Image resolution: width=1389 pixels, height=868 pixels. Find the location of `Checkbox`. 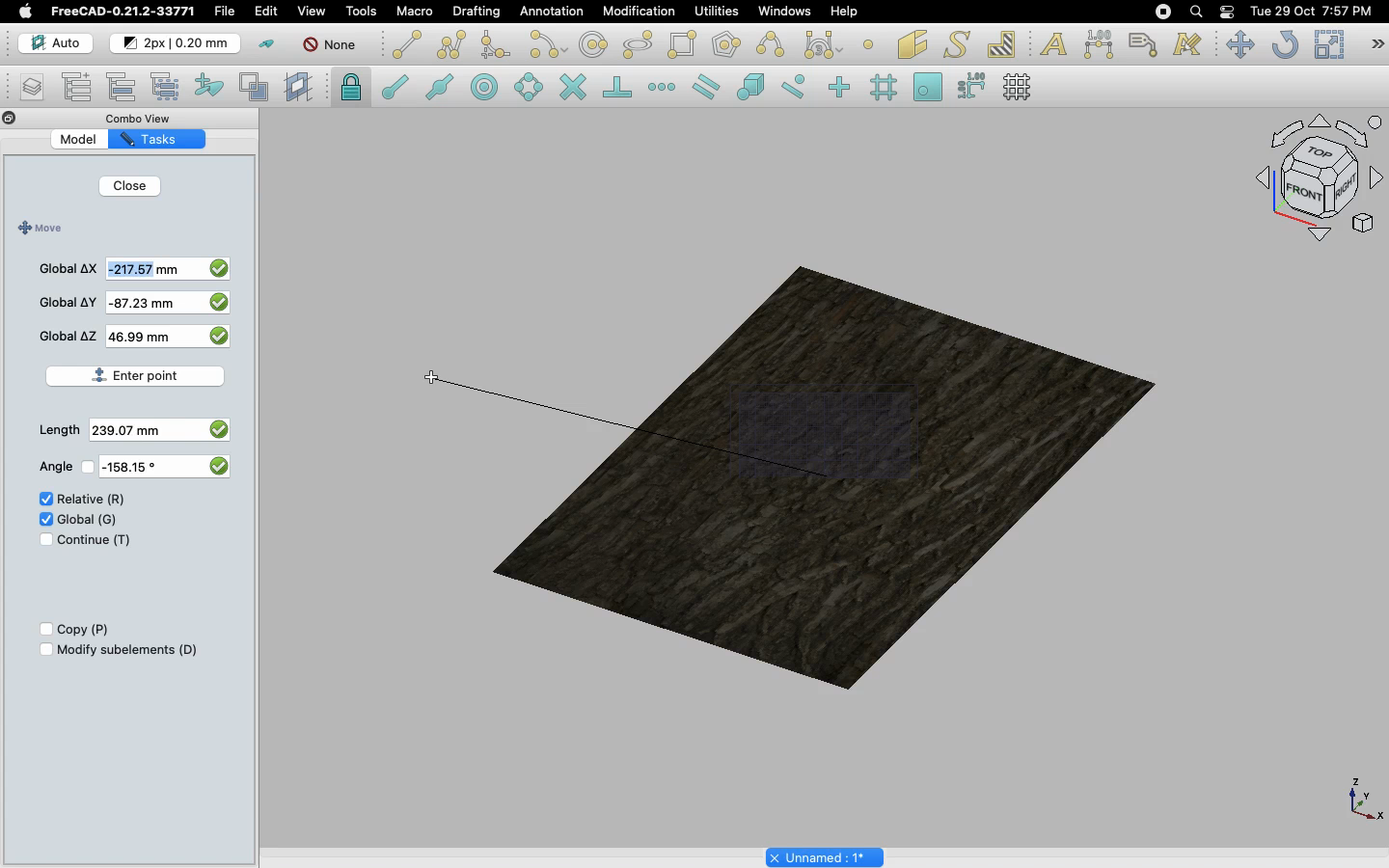

Checkbox is located at coordinates (41, 630).